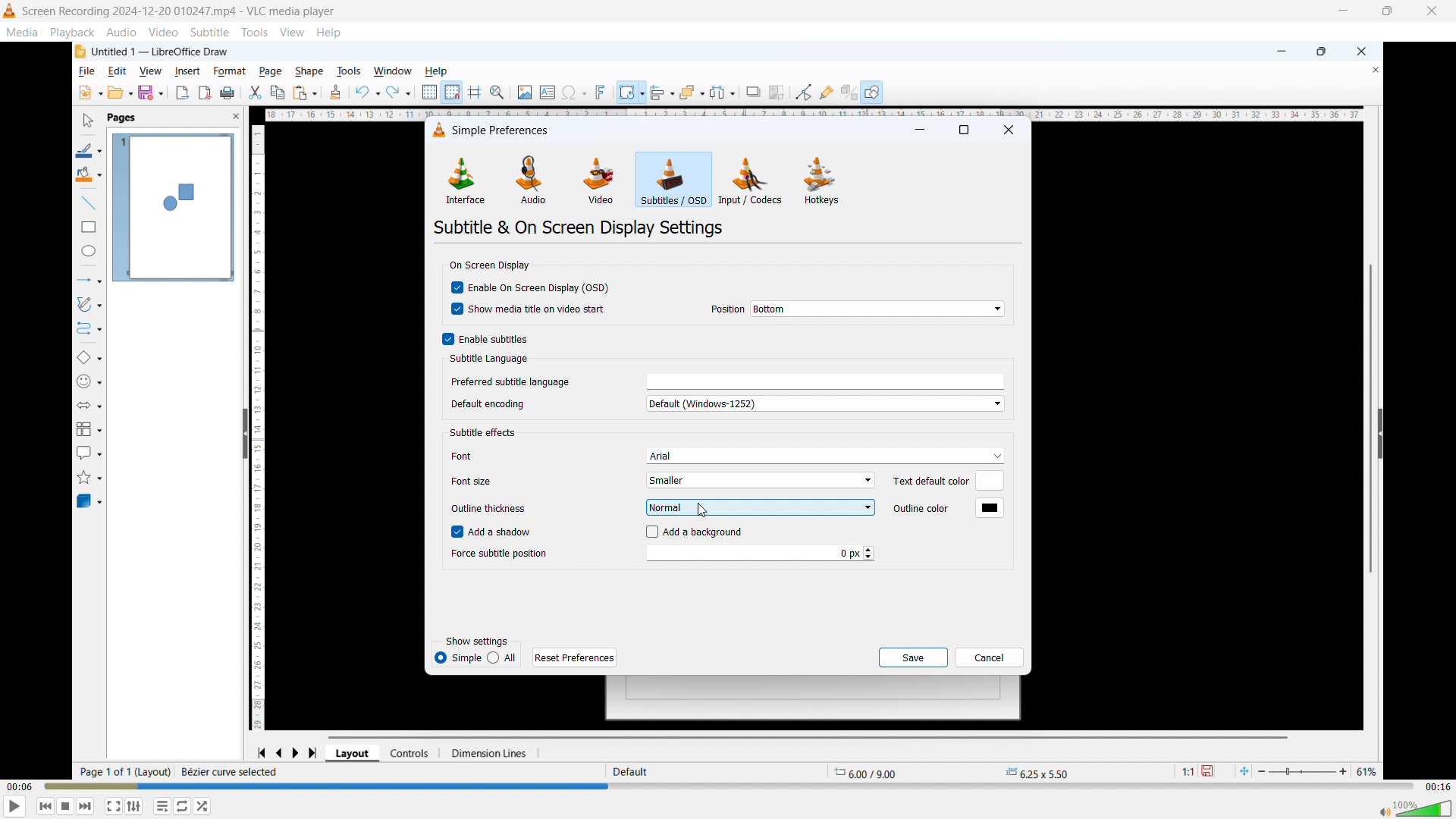  Describe the element at coordinates (928, 481) in the screenshot. I see `Text default color` at that location.